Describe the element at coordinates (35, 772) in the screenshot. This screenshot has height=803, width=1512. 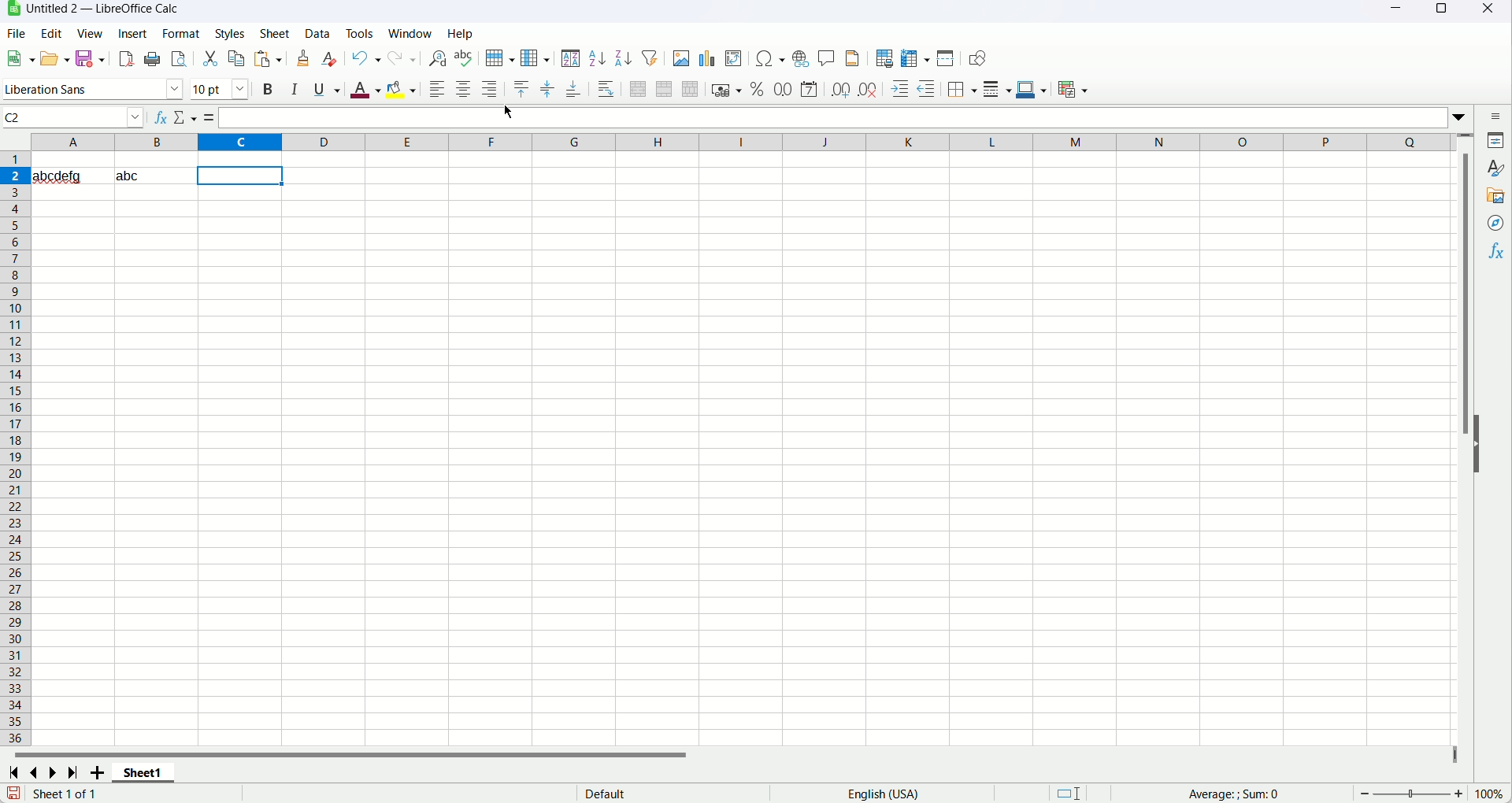
I see `scroll to previous page` at that location.